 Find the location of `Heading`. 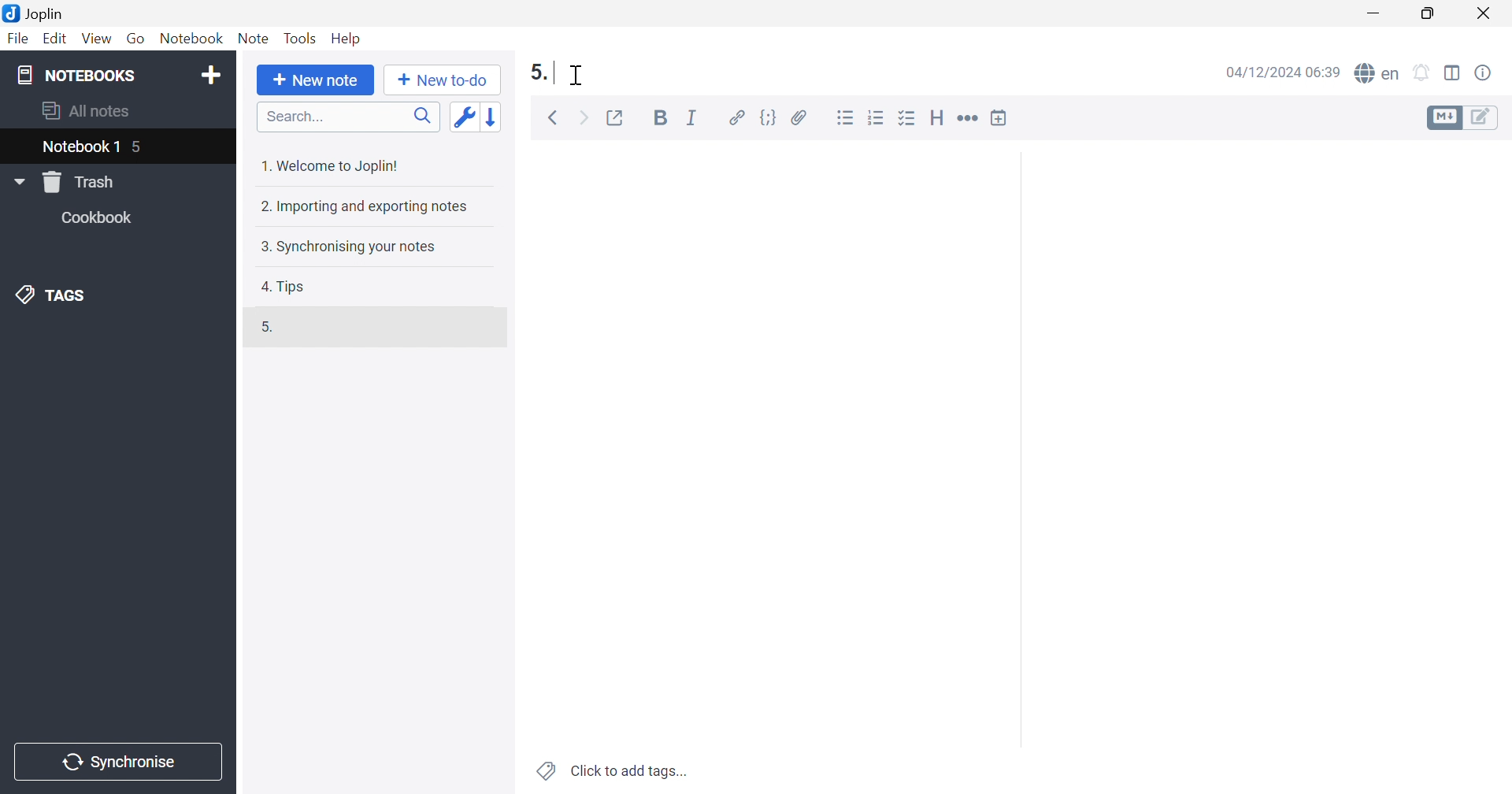

Heading is located at coordinates (939, 117).